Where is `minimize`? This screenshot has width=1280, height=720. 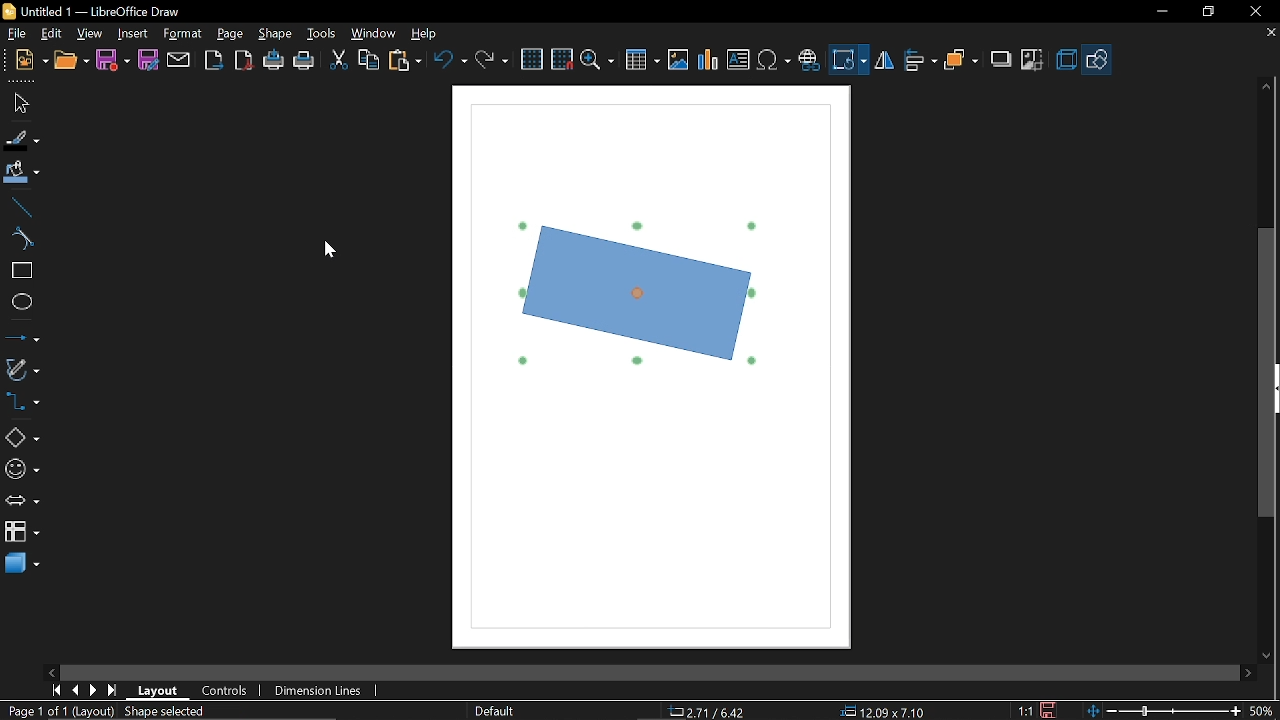 minimize is located at coordinates (1161, 12).